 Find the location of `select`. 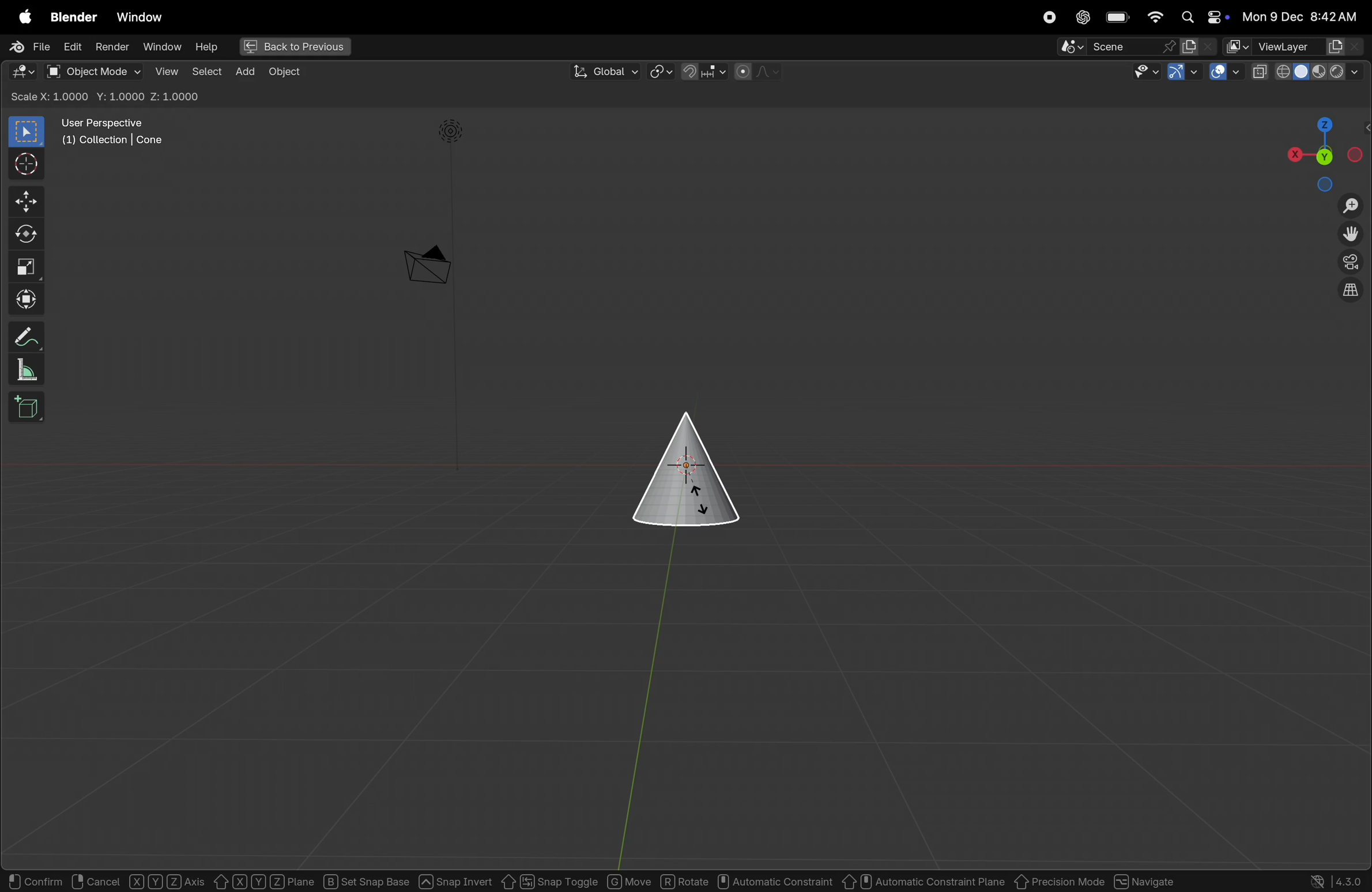

select is located at coordinates (207, 73).